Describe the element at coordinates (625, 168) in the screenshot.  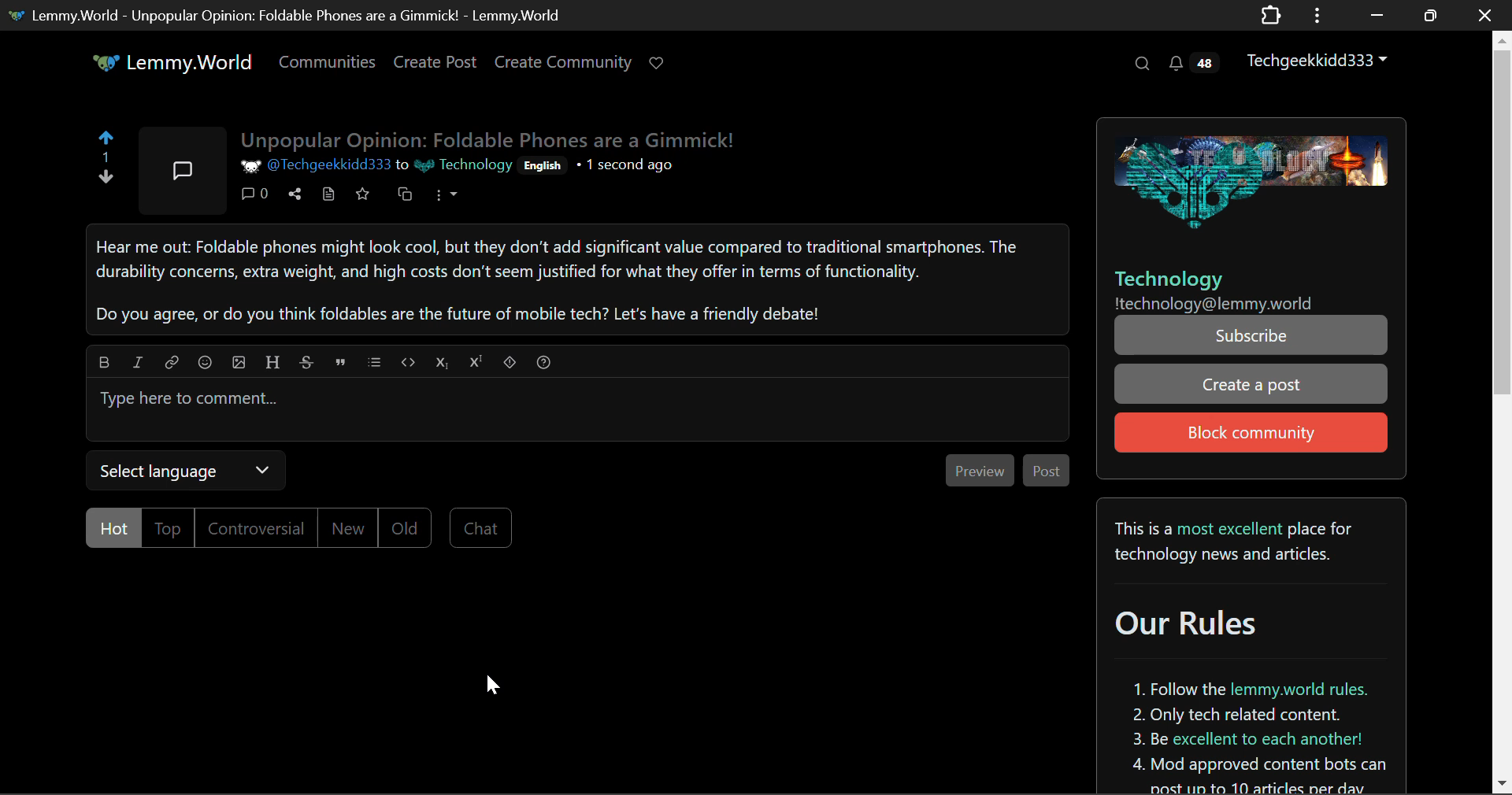
I see `Time since posting` at that location.